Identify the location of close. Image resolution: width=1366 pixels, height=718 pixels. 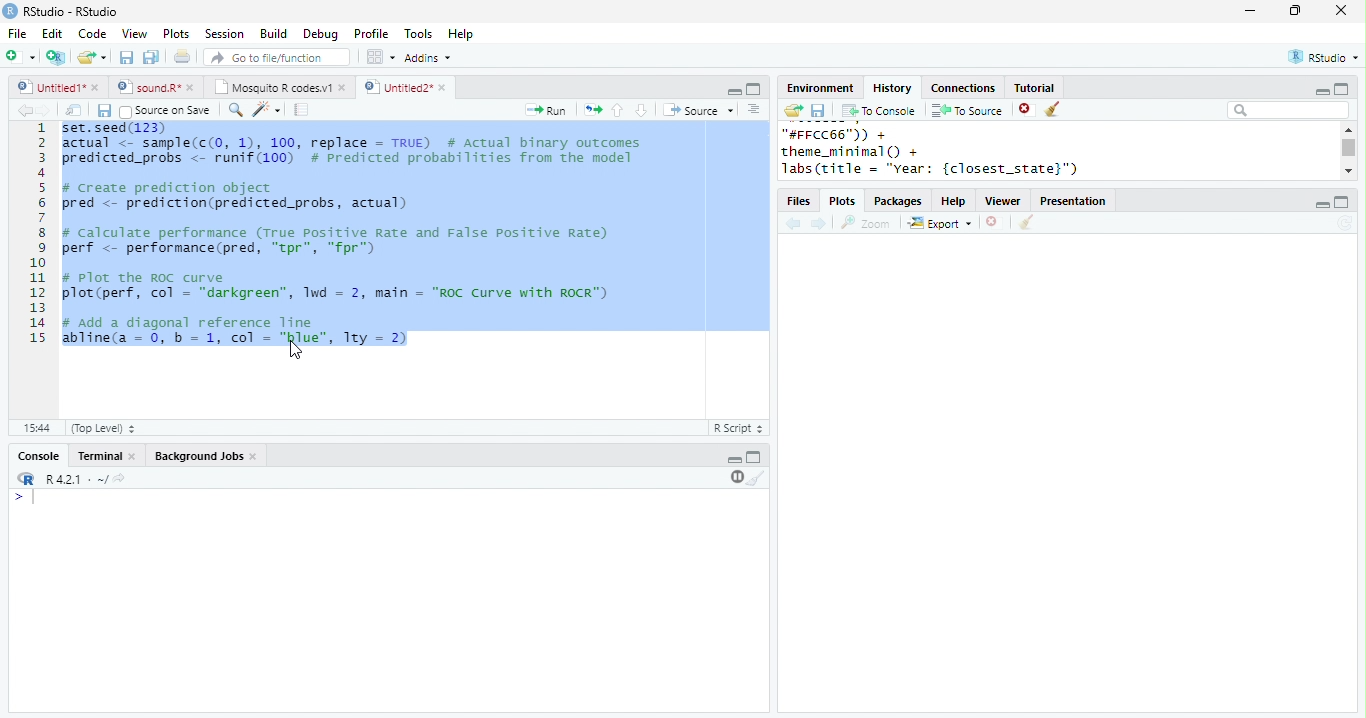
(344, 87).